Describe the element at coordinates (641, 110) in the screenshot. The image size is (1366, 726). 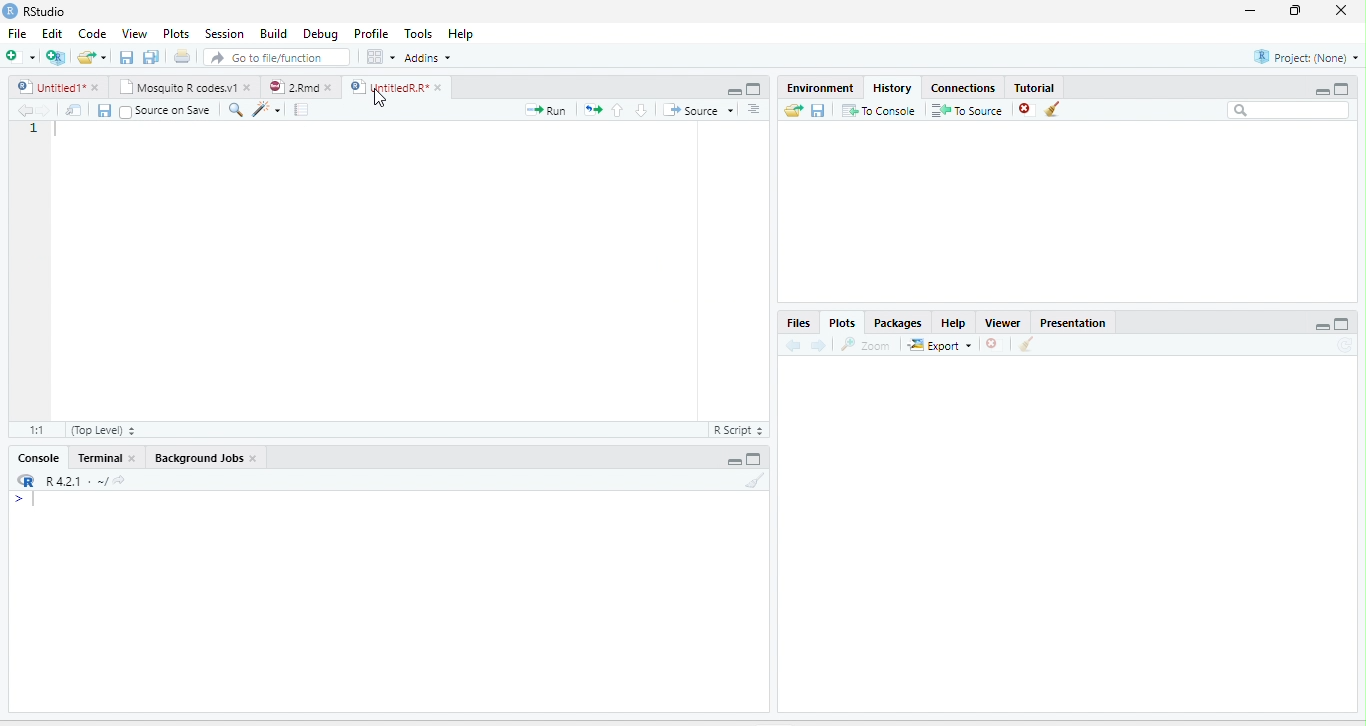
I see `Go to next section/chunk` at that location.